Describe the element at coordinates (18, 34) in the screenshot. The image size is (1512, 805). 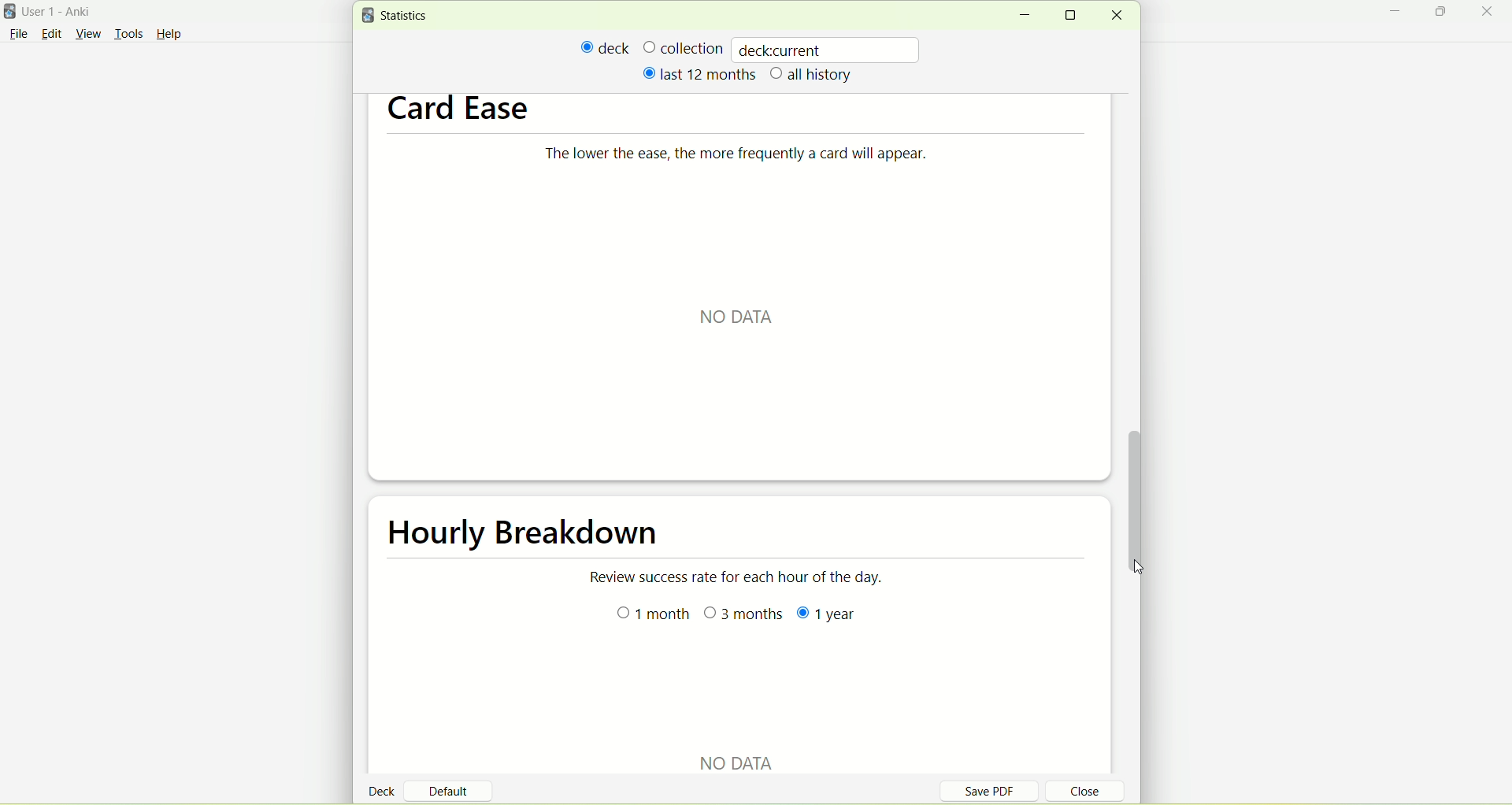
I see `File ` at that location.